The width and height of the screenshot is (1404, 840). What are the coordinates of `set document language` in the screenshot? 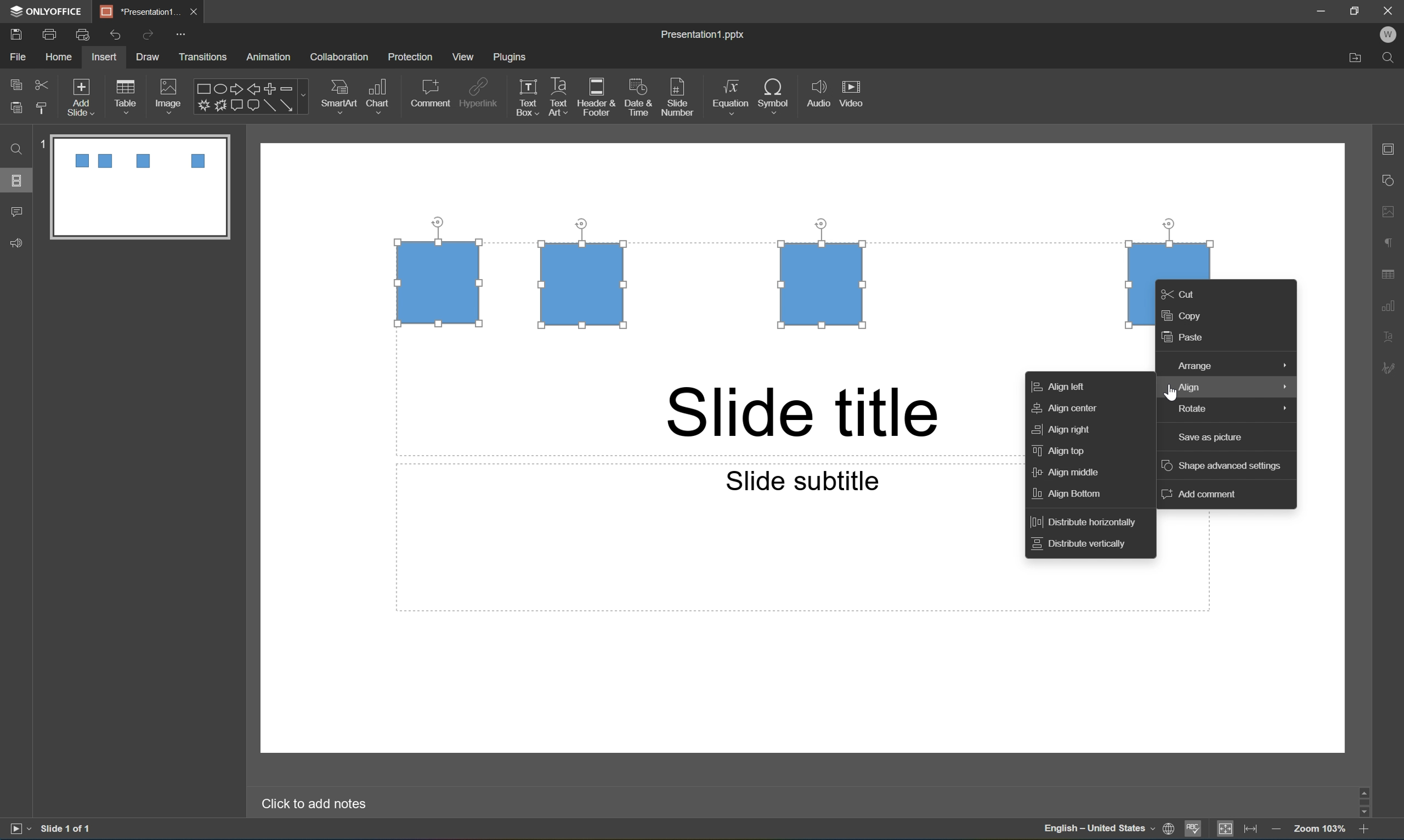 It's located at (1107, 831).